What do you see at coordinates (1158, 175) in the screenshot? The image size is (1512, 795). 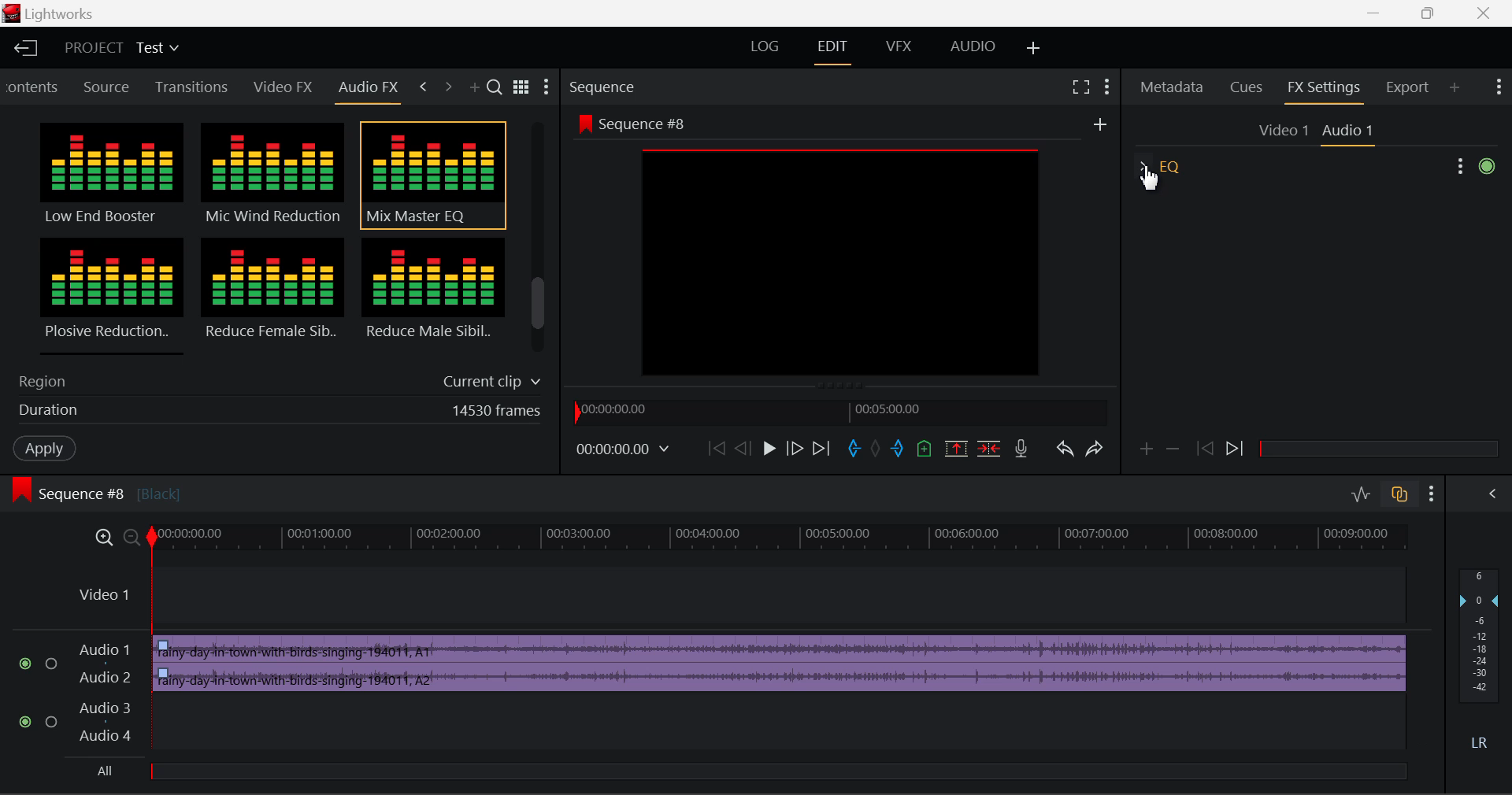 I see `Cursor on EQ` at bounding box center [1158, 175].